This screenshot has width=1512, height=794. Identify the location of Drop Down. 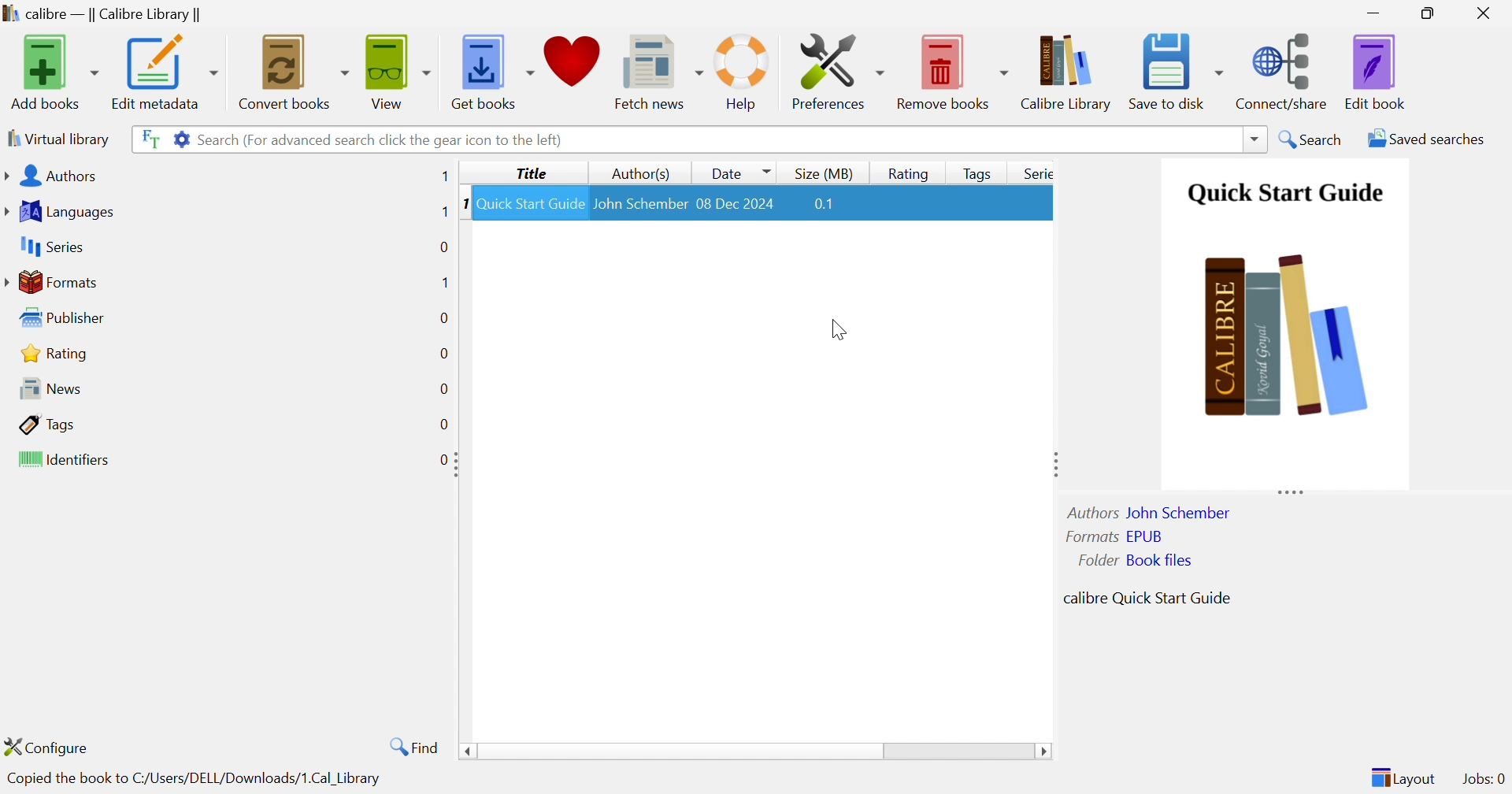
(1251, 138).